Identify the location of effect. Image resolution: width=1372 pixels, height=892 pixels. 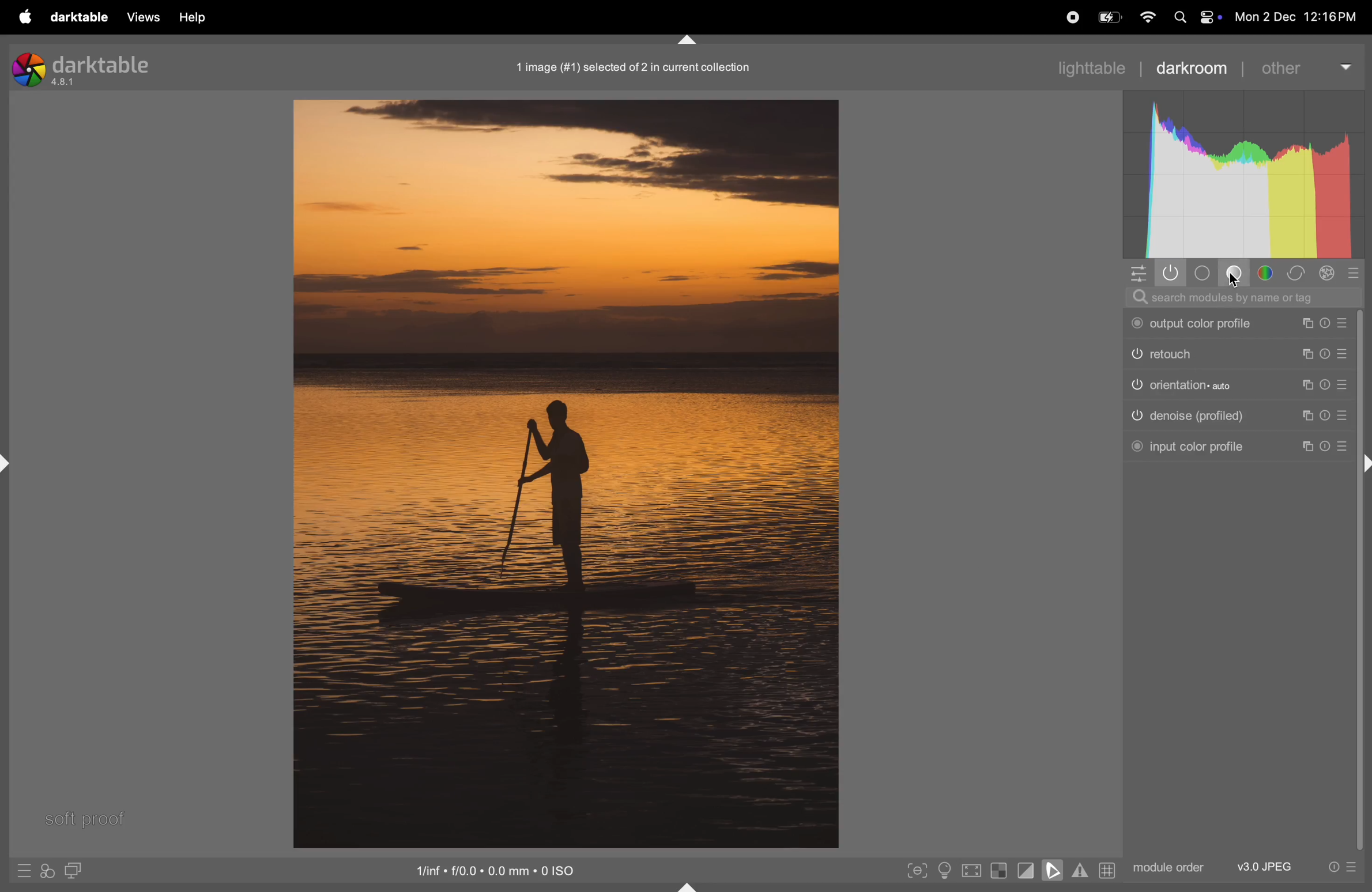
(1327, 273).